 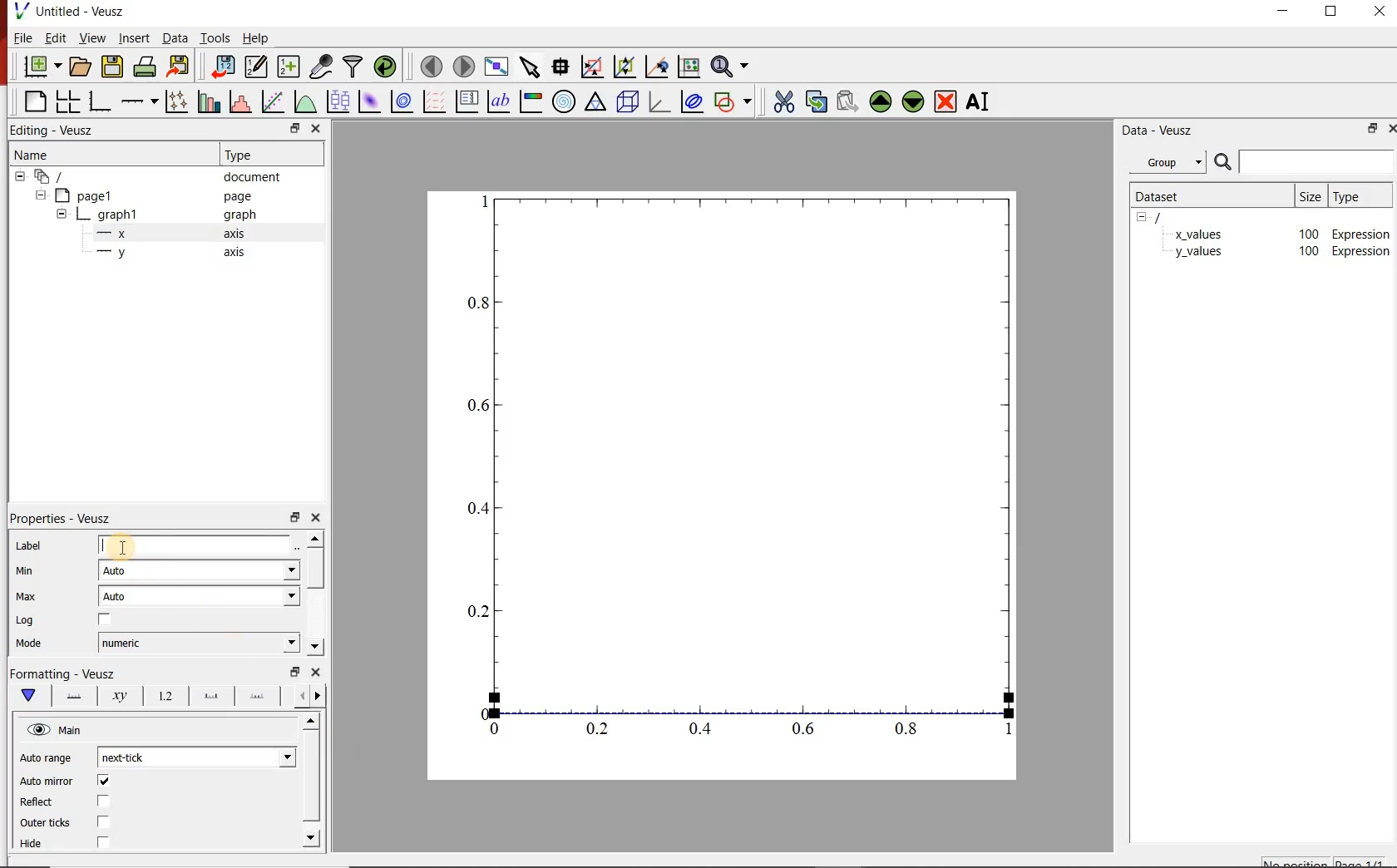 I want to click on graph, so click(x=239, y=215).